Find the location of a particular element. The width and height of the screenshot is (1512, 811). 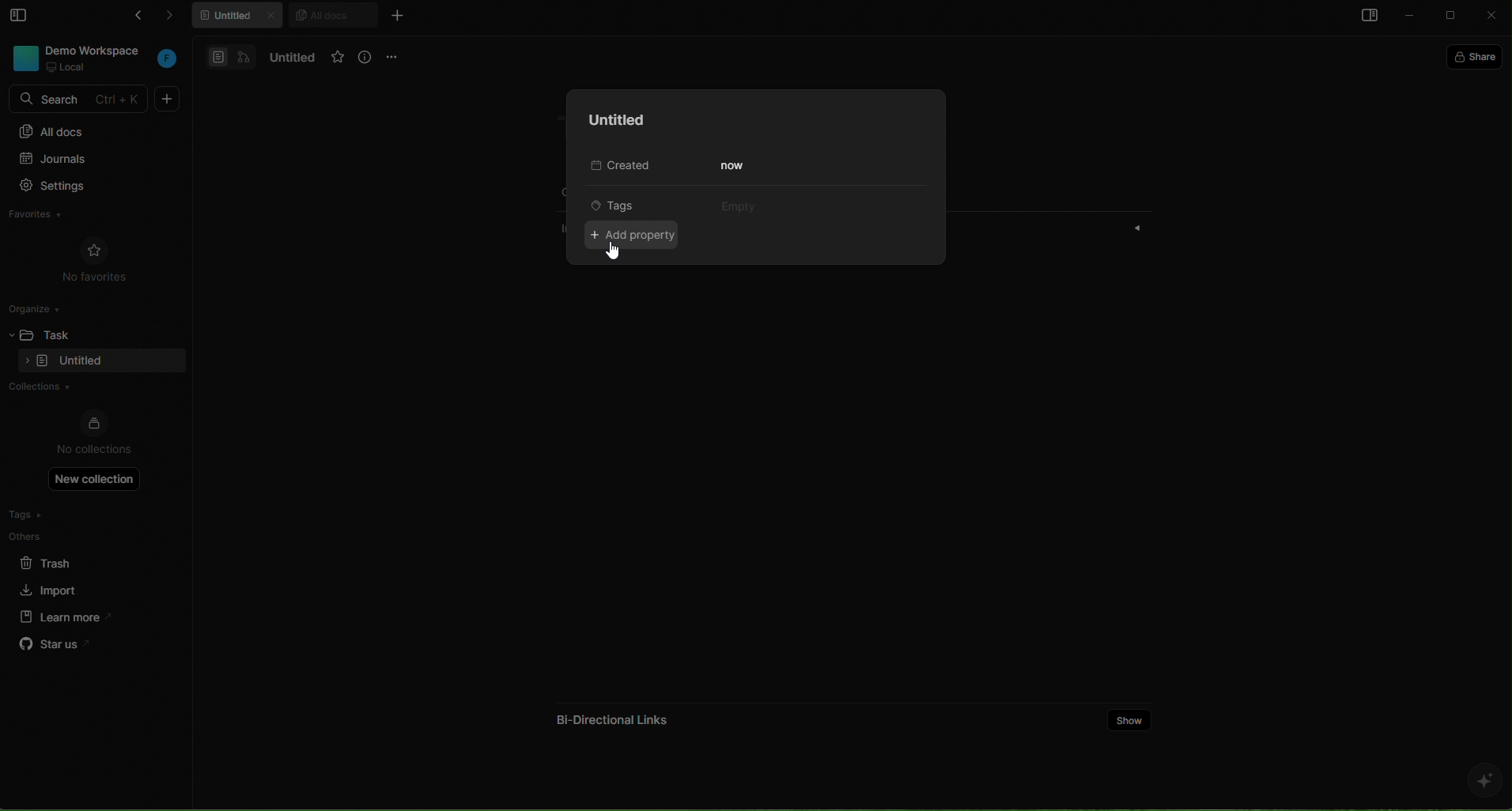

forward is located at coordinates (177, 18).